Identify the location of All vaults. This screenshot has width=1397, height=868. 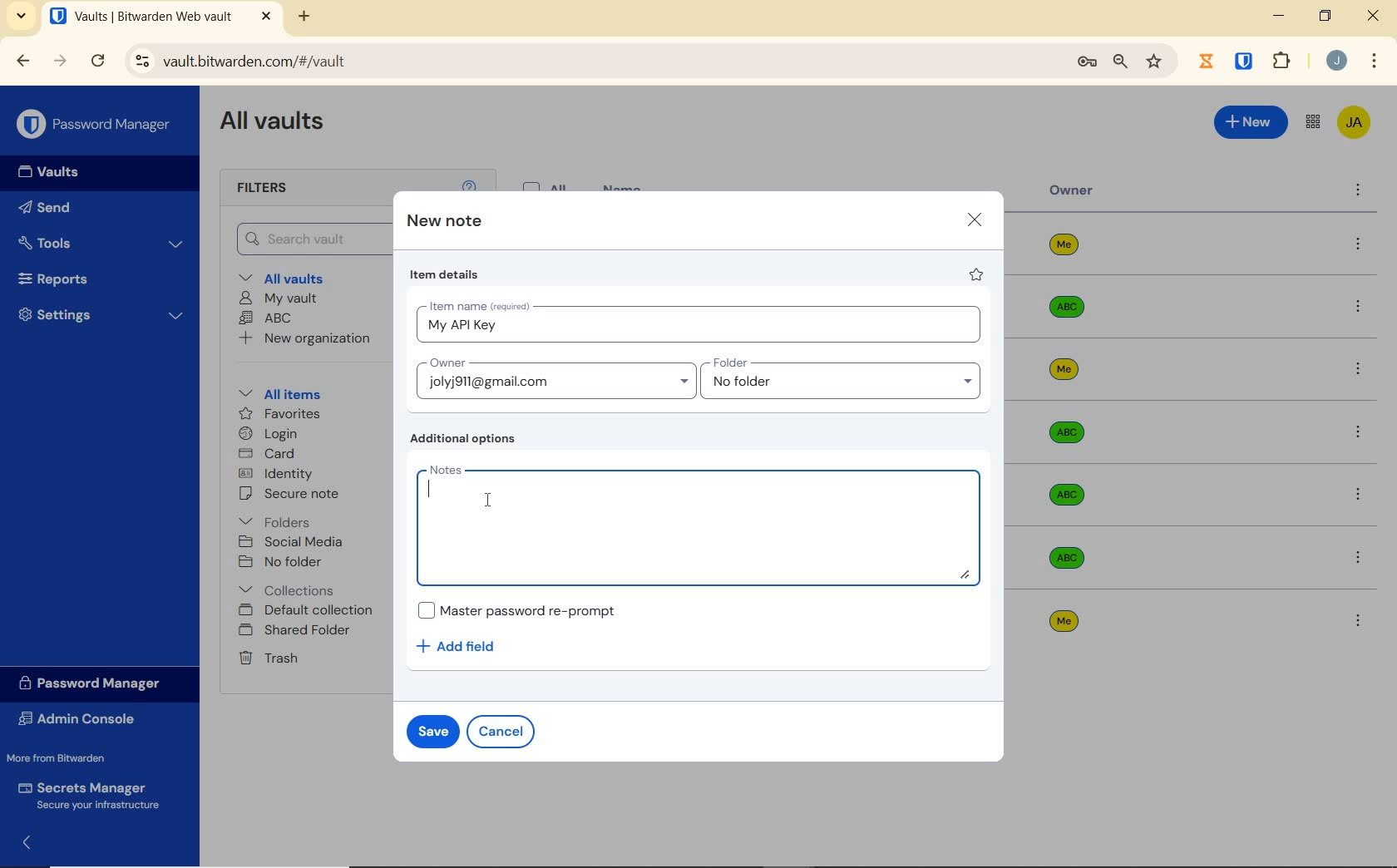
(297, 279).